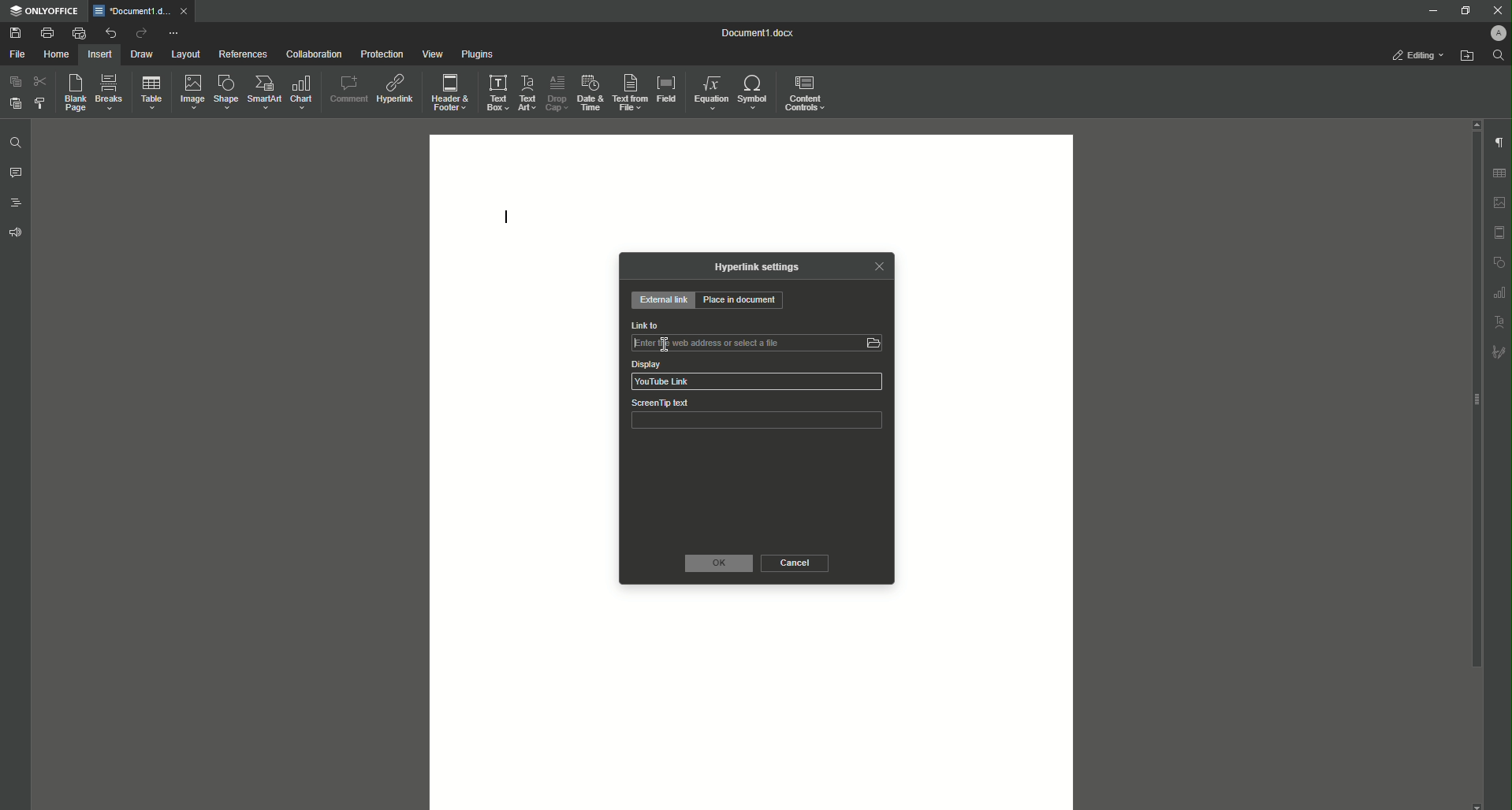  What do you see at coordinates (1500, 262) in the screenshot?
I see `shape settings` at bounding box center [1500, 262].